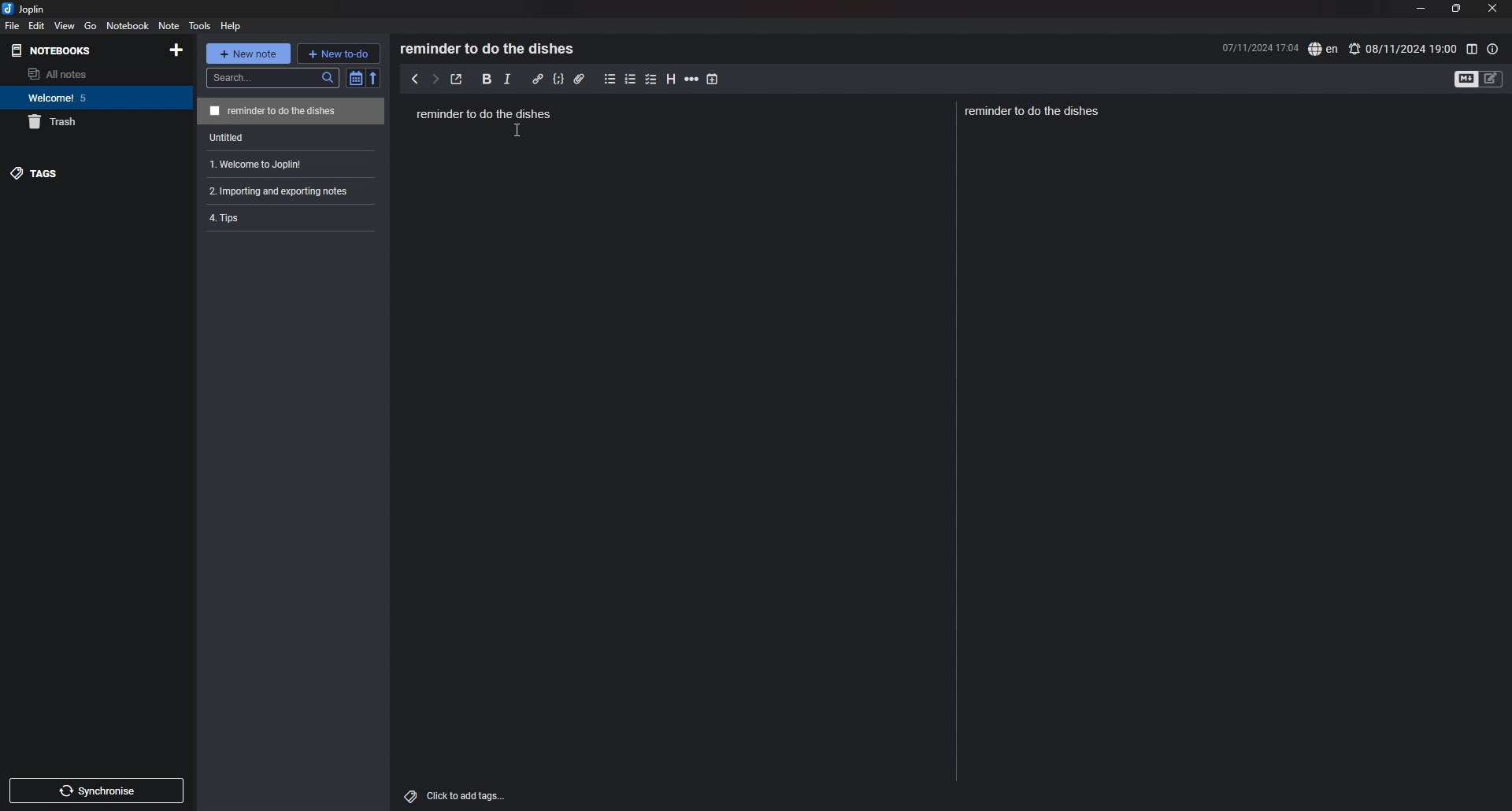 Image resolution: width=1512 pixels, height=811 pixels. Describe the element at coordinates (66, 50) in the screenshot. I see `notebooks` at that location.